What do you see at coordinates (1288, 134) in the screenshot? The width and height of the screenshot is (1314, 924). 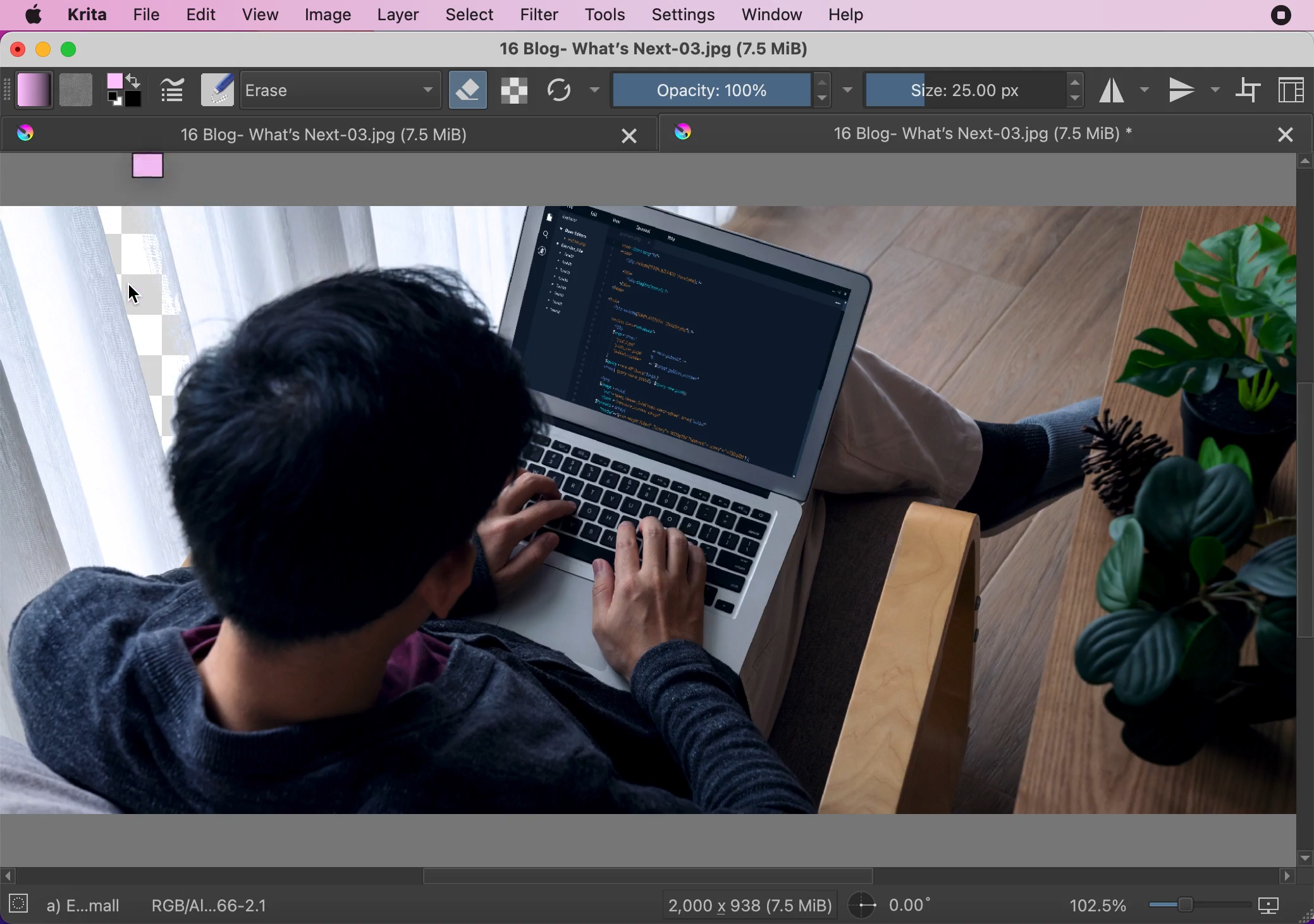 I see `close` at bounding box center [1288, 134].